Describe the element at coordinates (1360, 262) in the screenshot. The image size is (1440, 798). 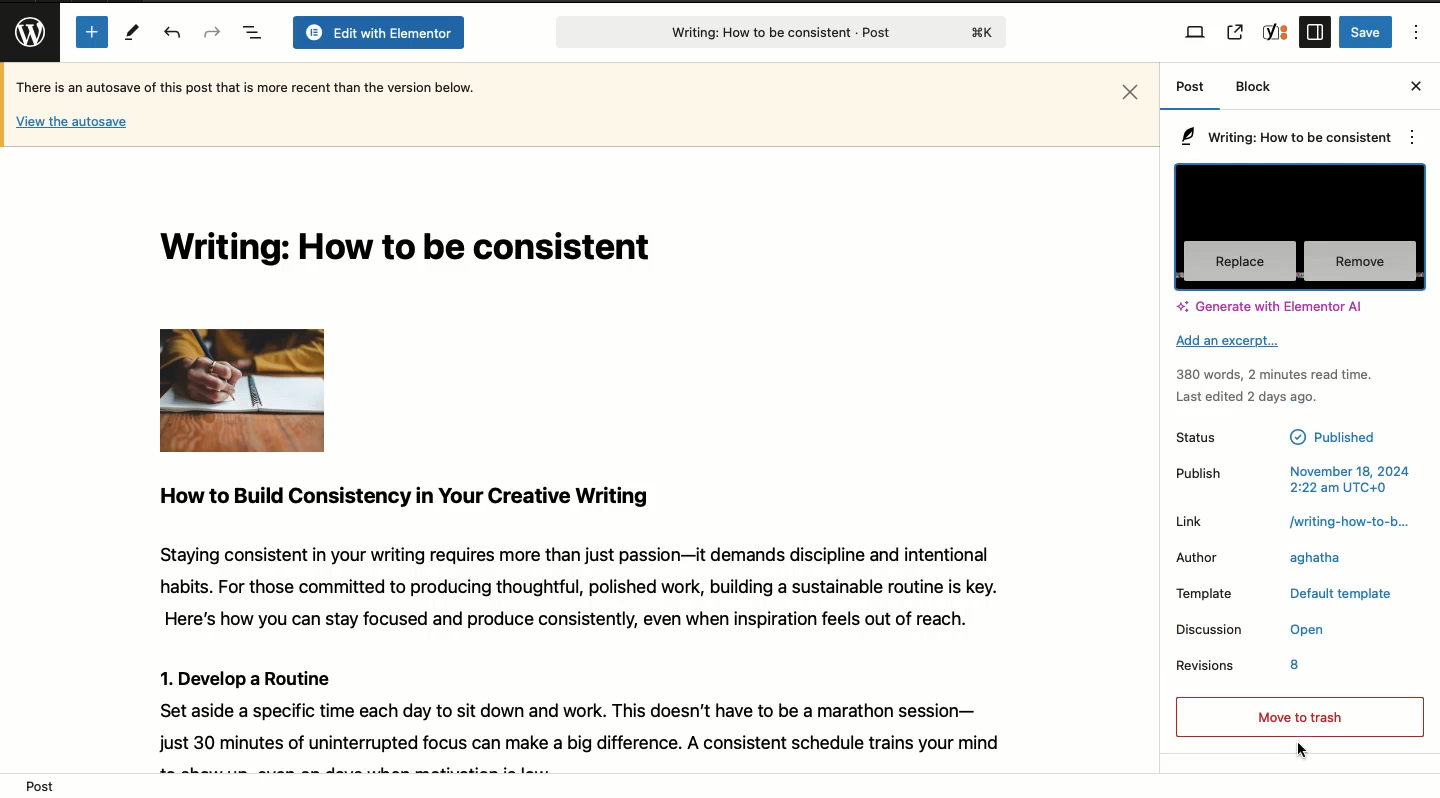
I see `Remove` at that location.